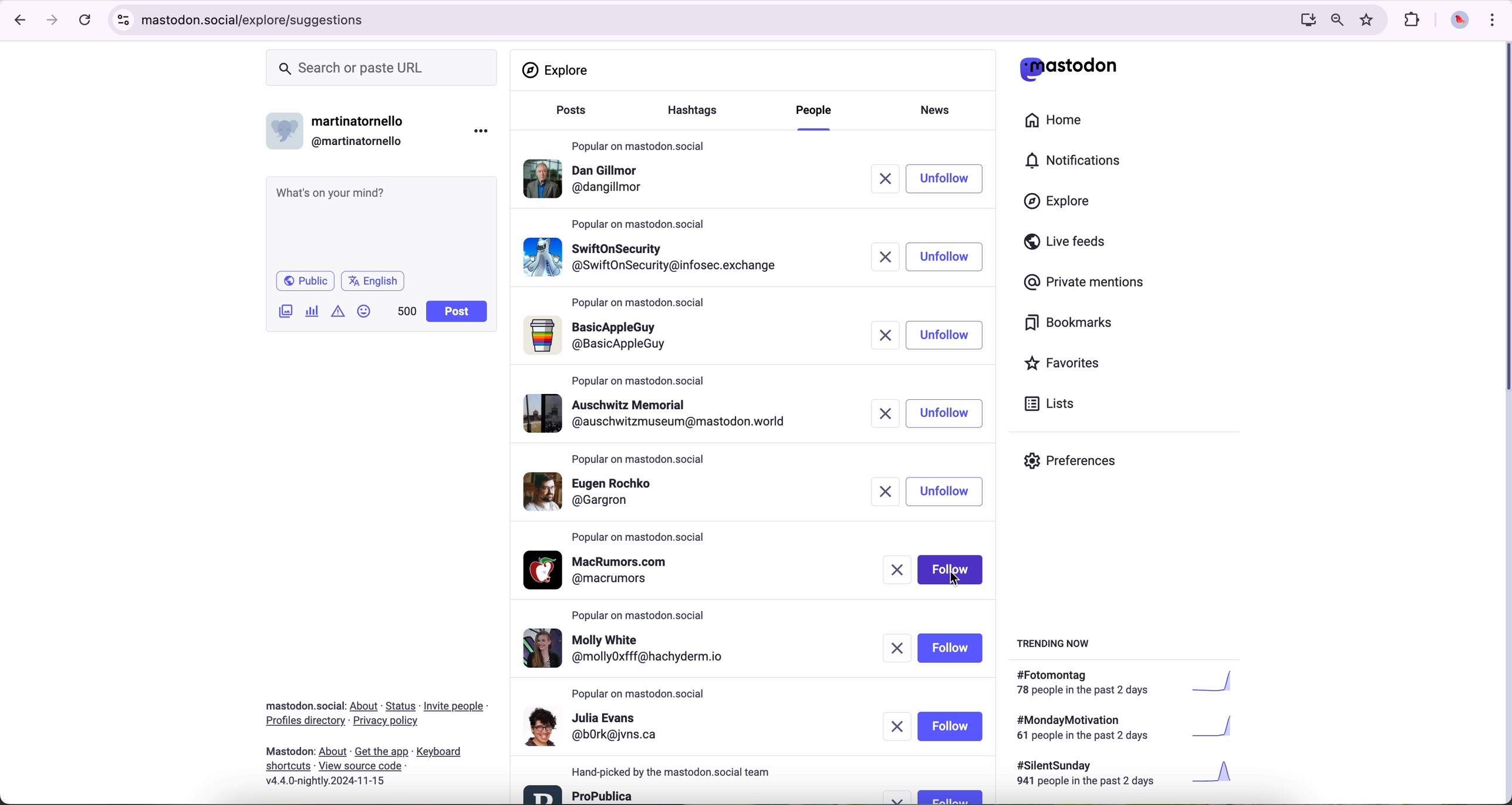 The height and width of the screenshot is (805, 1512). Describe the element at coordinates (1303, 19) in the screenshot. I see `computer` at that location.